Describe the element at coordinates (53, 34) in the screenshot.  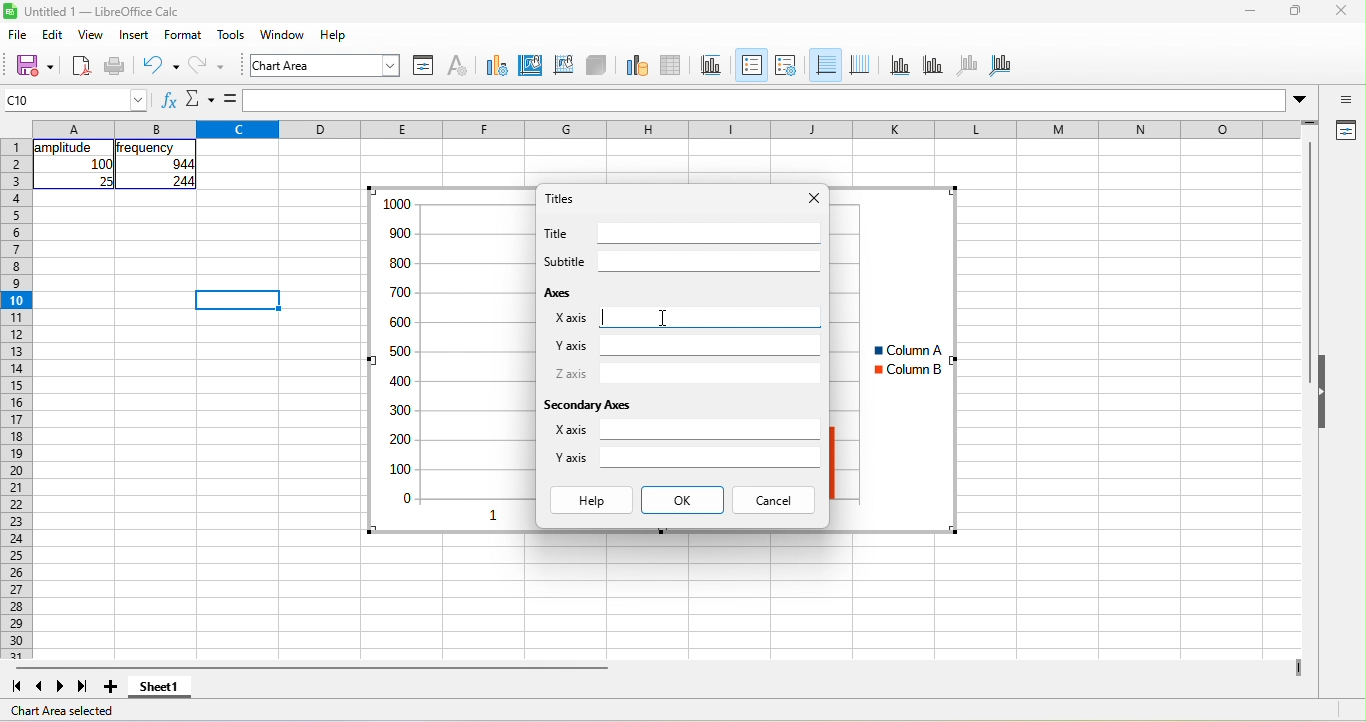
I see `edit` at that location.